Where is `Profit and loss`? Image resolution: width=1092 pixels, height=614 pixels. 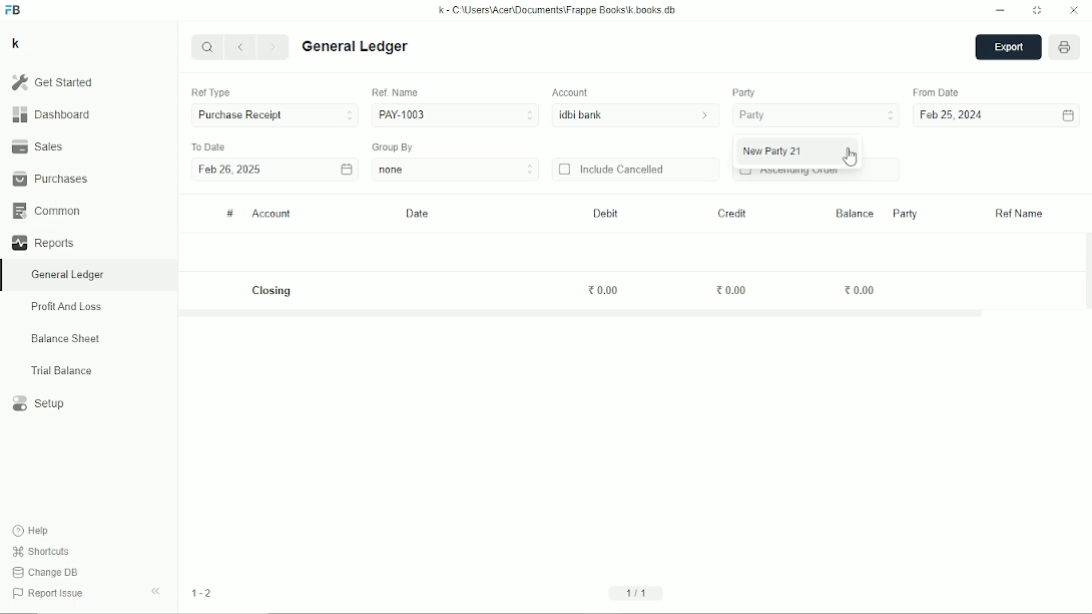
Profit and loss is located at coordinates (66, 307).